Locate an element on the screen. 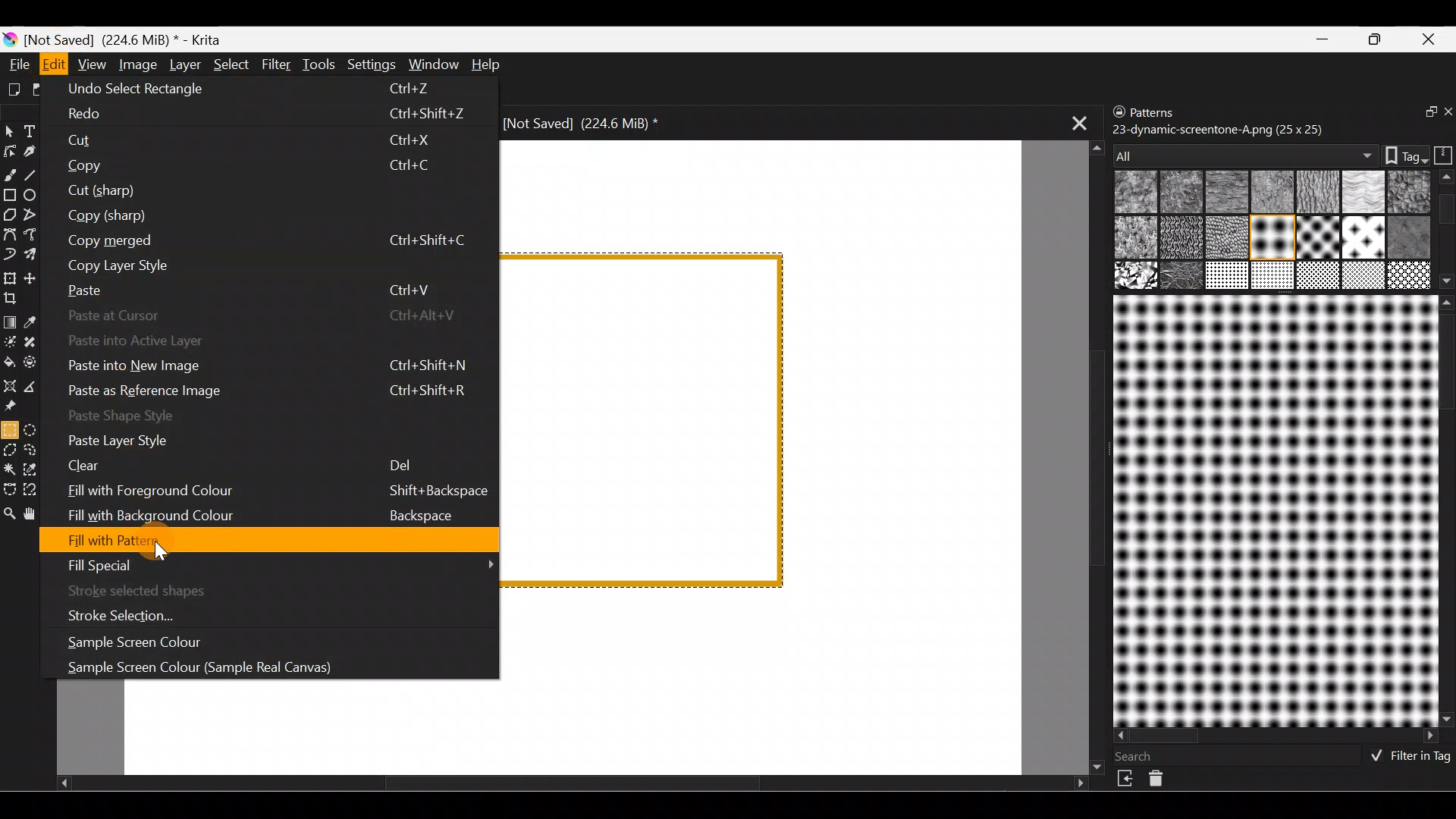 This screenshot has height=819, width=1456. Stroke selection is located at coordinates (146, 613).